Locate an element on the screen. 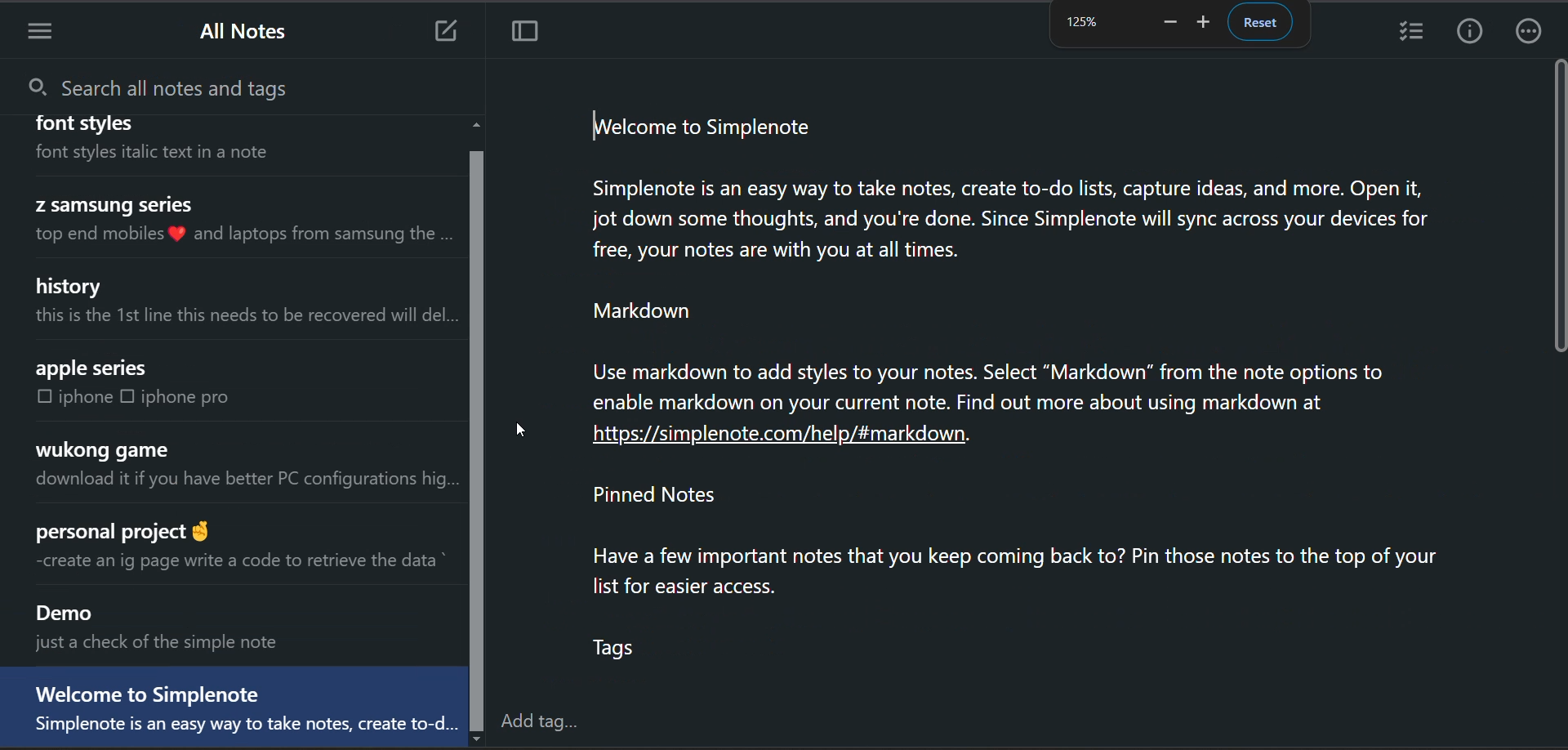 The image size is (1568, 750). create an ig page write a code to retrieve the data * is located at coordinates (236, 569).